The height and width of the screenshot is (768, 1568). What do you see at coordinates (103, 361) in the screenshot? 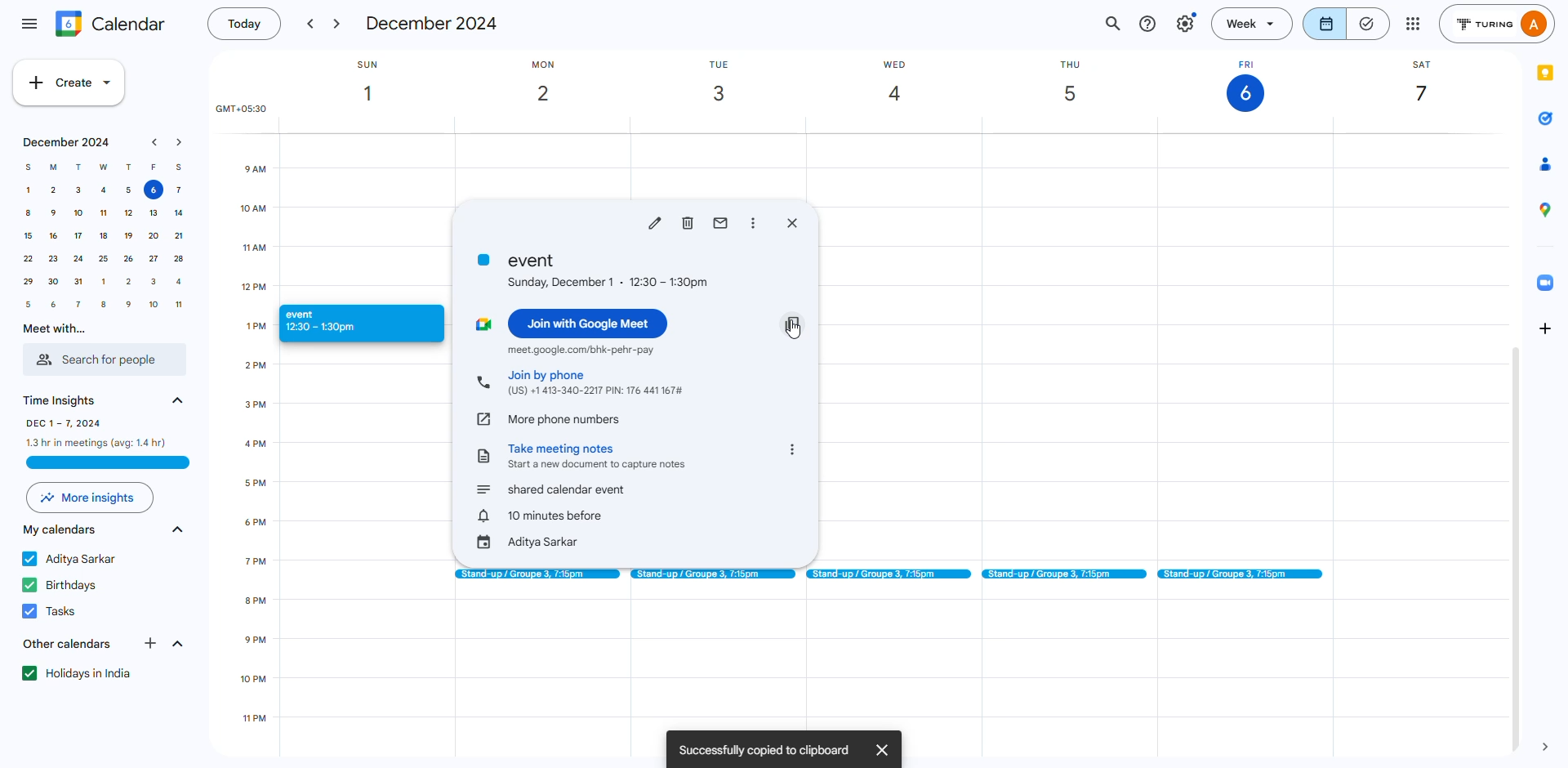
I see `search` at bounding box center [103, 361].